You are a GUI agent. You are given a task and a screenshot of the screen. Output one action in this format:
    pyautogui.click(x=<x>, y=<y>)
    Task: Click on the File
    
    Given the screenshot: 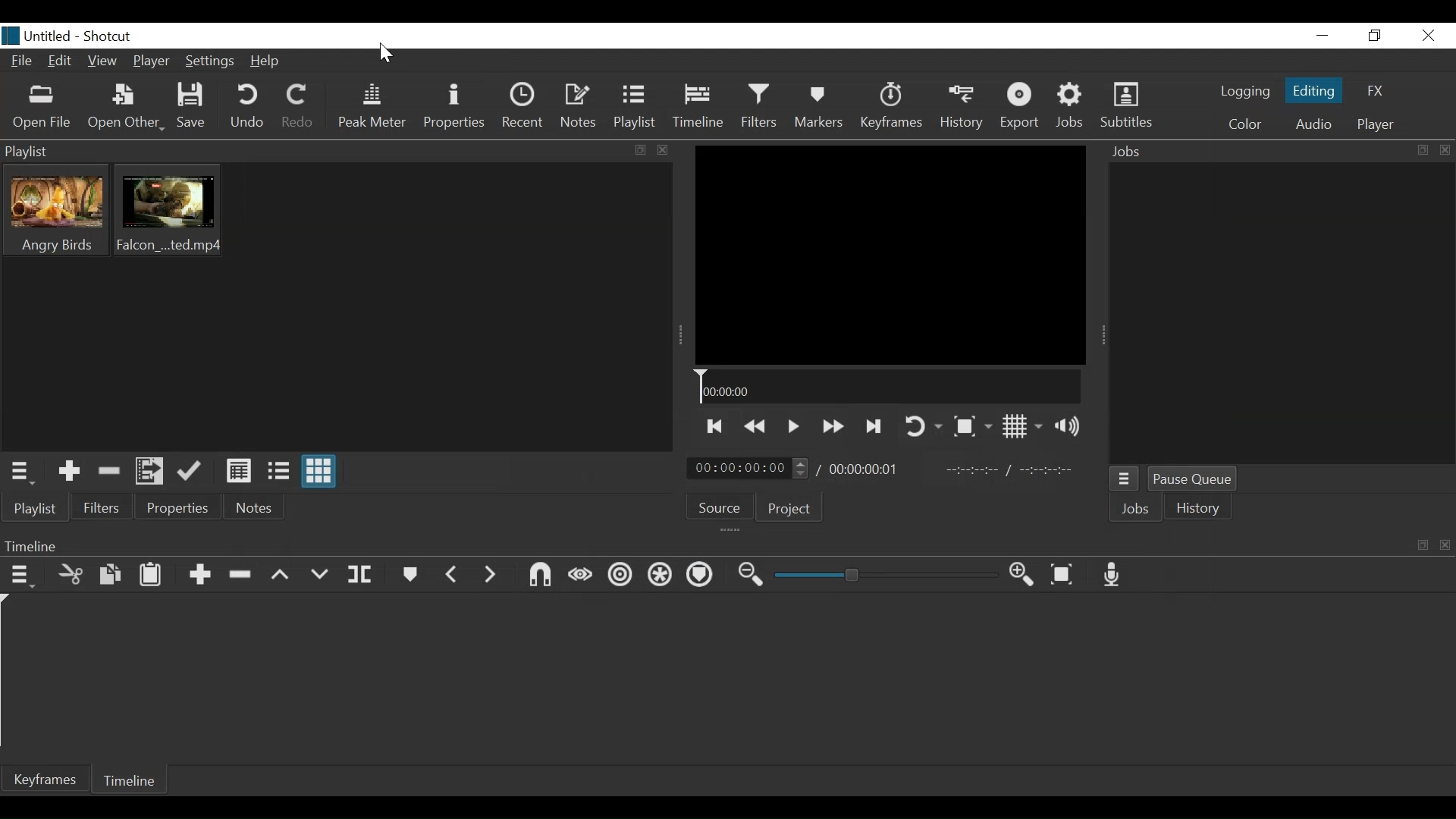 What is the action you would take?
    pyautogui.click(x=22, y=62)
    